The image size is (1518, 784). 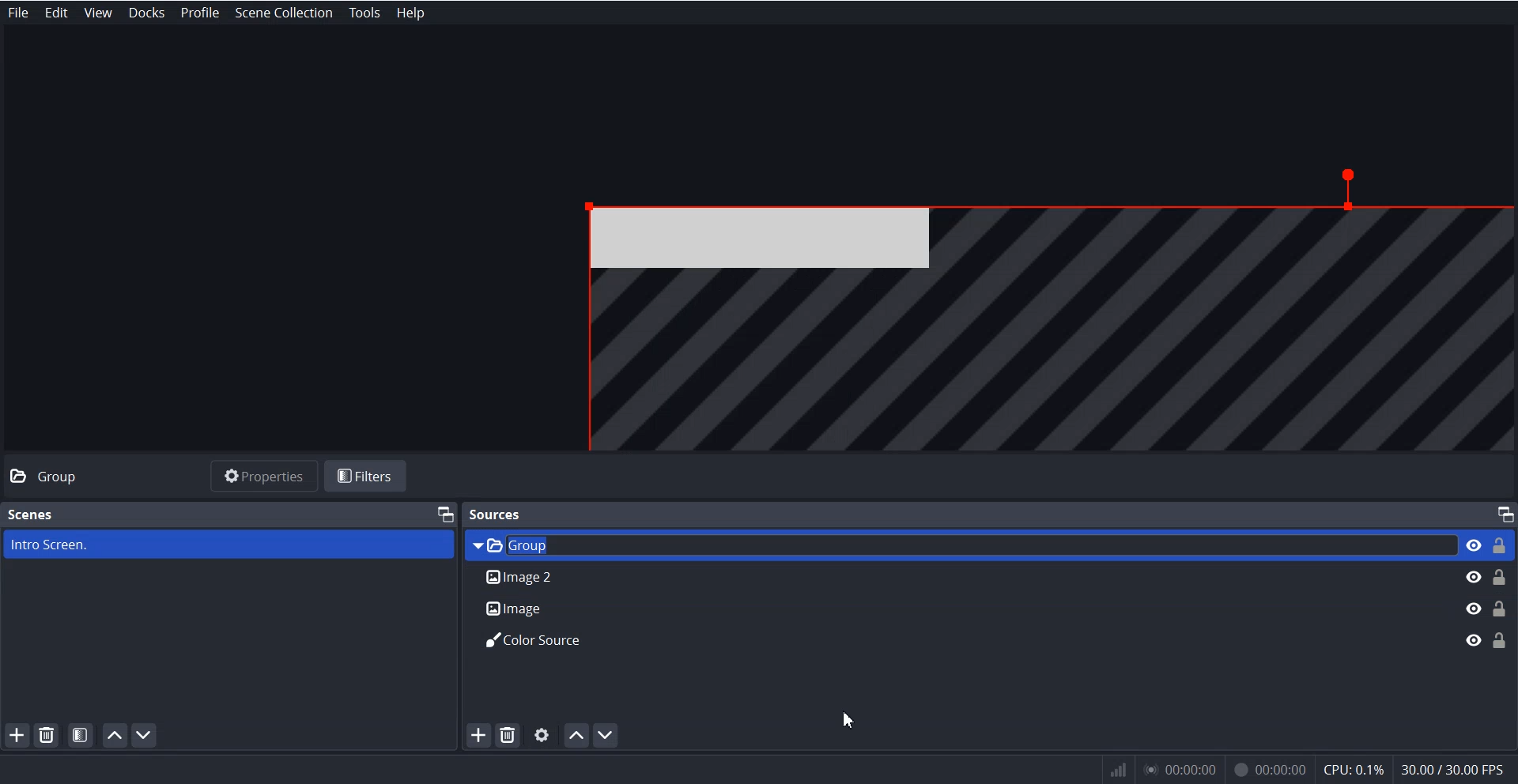 I want to click on Move Scene down, so click(x=147, y=735).